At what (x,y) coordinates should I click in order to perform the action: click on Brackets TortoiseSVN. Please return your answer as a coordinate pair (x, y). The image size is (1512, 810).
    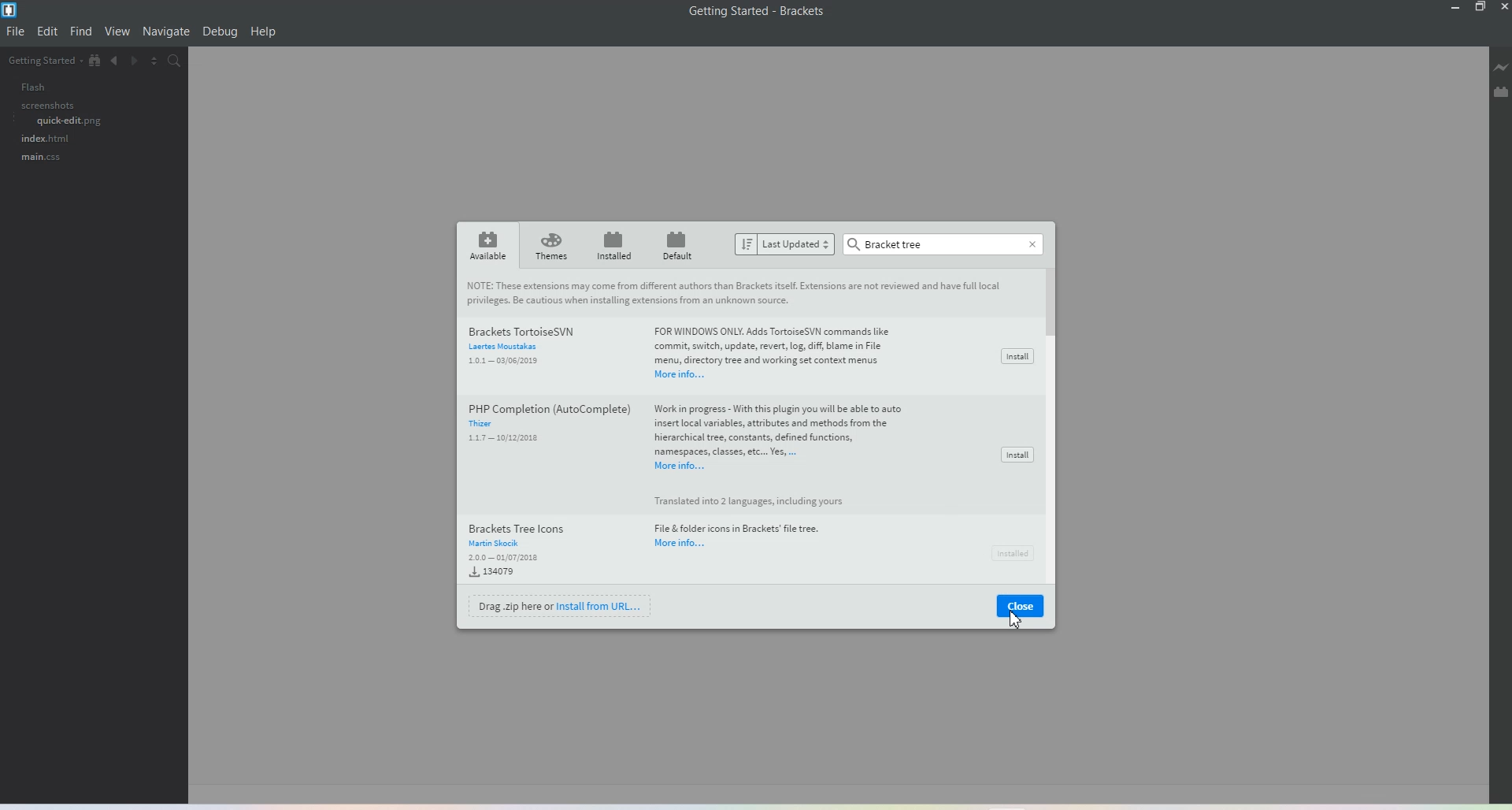
    Looking at the image, I should click on (685, 346).